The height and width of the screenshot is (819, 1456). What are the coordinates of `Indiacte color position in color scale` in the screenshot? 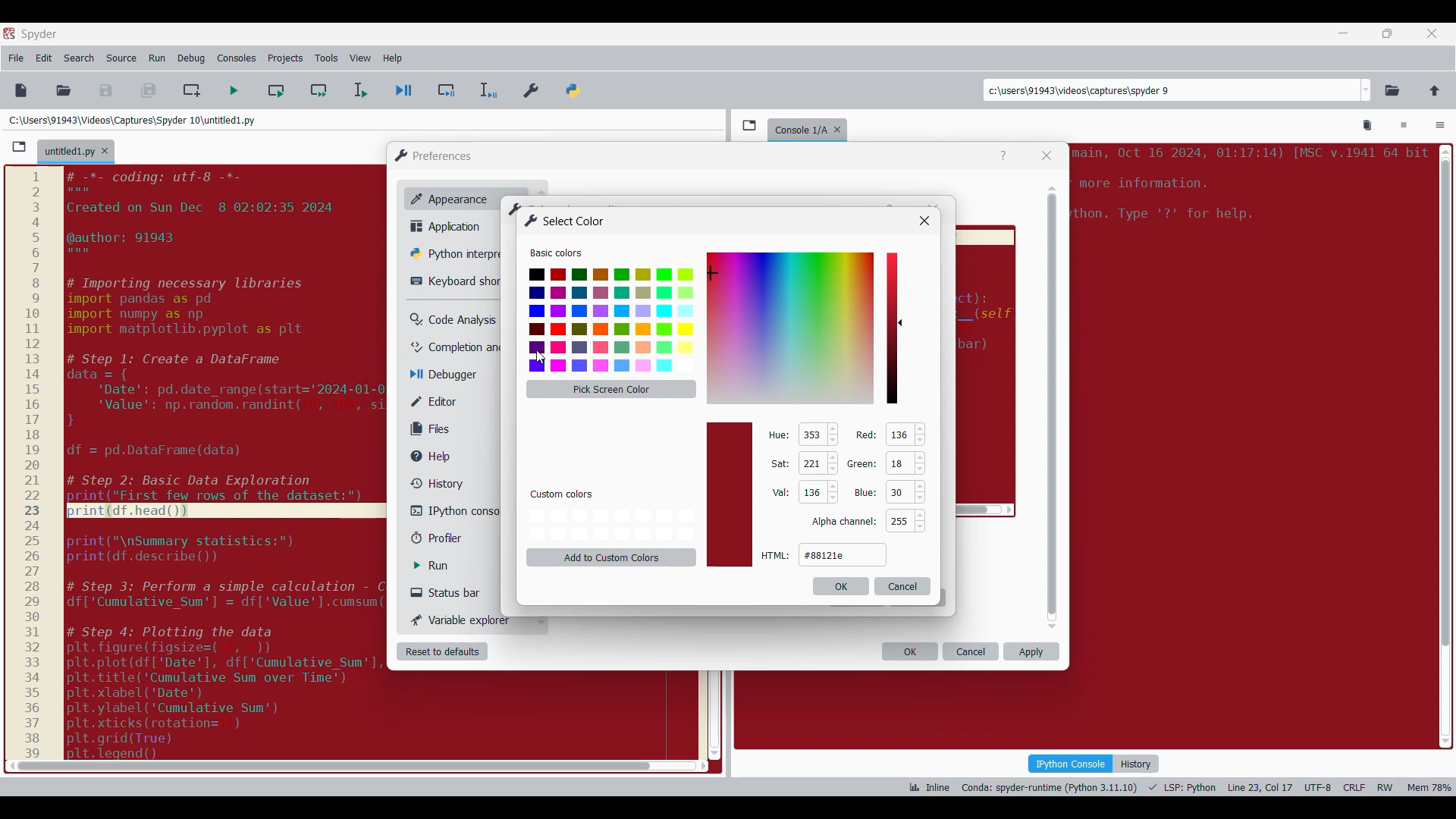 It's located at (902, 322).